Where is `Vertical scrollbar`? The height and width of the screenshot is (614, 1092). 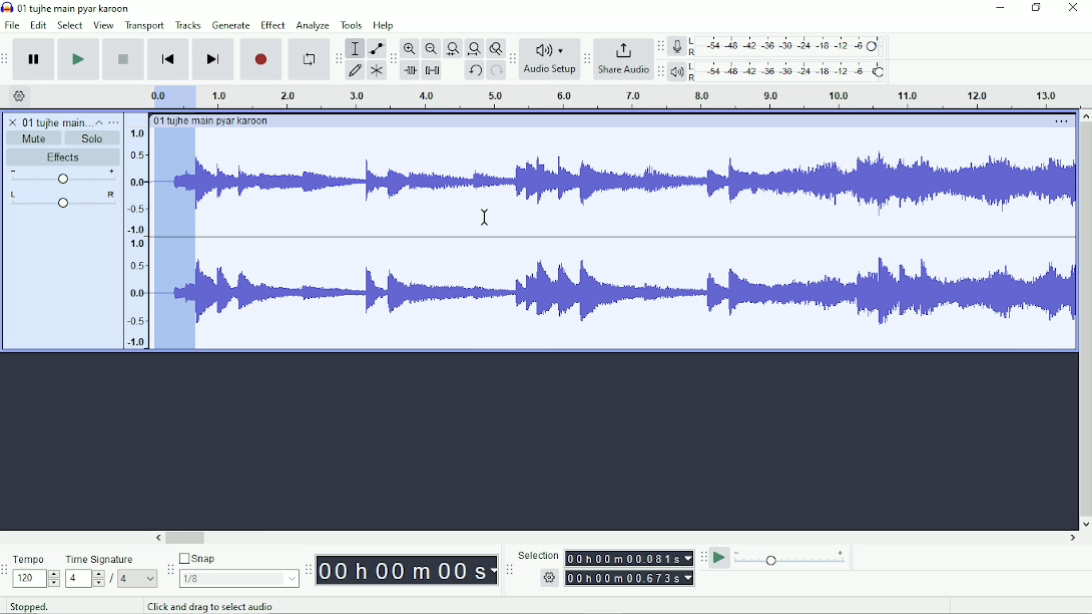 Vertical scrollbar is located at coordinates (1084, 320).